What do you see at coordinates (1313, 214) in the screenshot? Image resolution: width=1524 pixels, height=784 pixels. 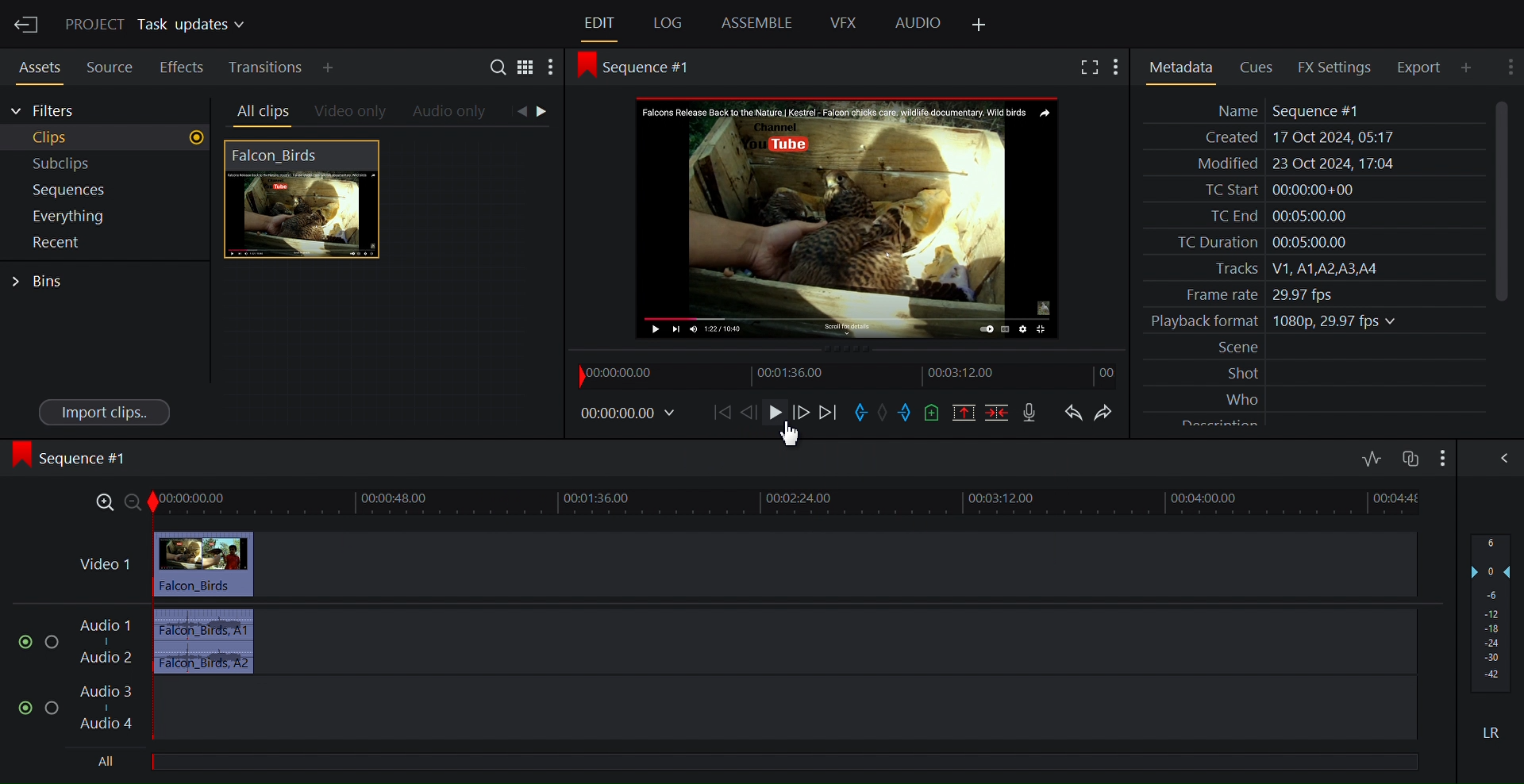 I see `TC End` at bounding box center [1313, 214].